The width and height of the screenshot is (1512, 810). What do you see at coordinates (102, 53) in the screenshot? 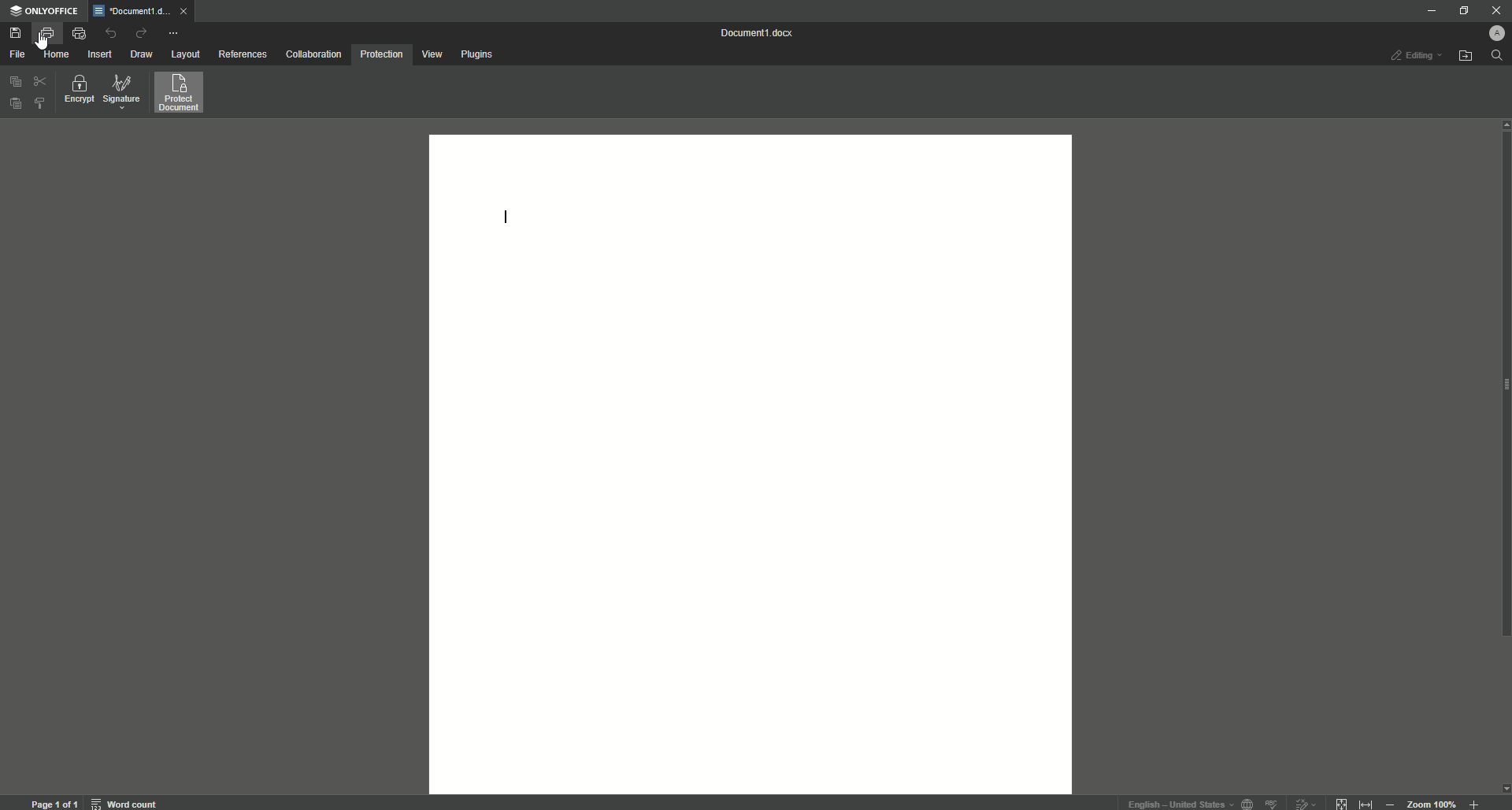
I see `` at bounding box center [102, 53].